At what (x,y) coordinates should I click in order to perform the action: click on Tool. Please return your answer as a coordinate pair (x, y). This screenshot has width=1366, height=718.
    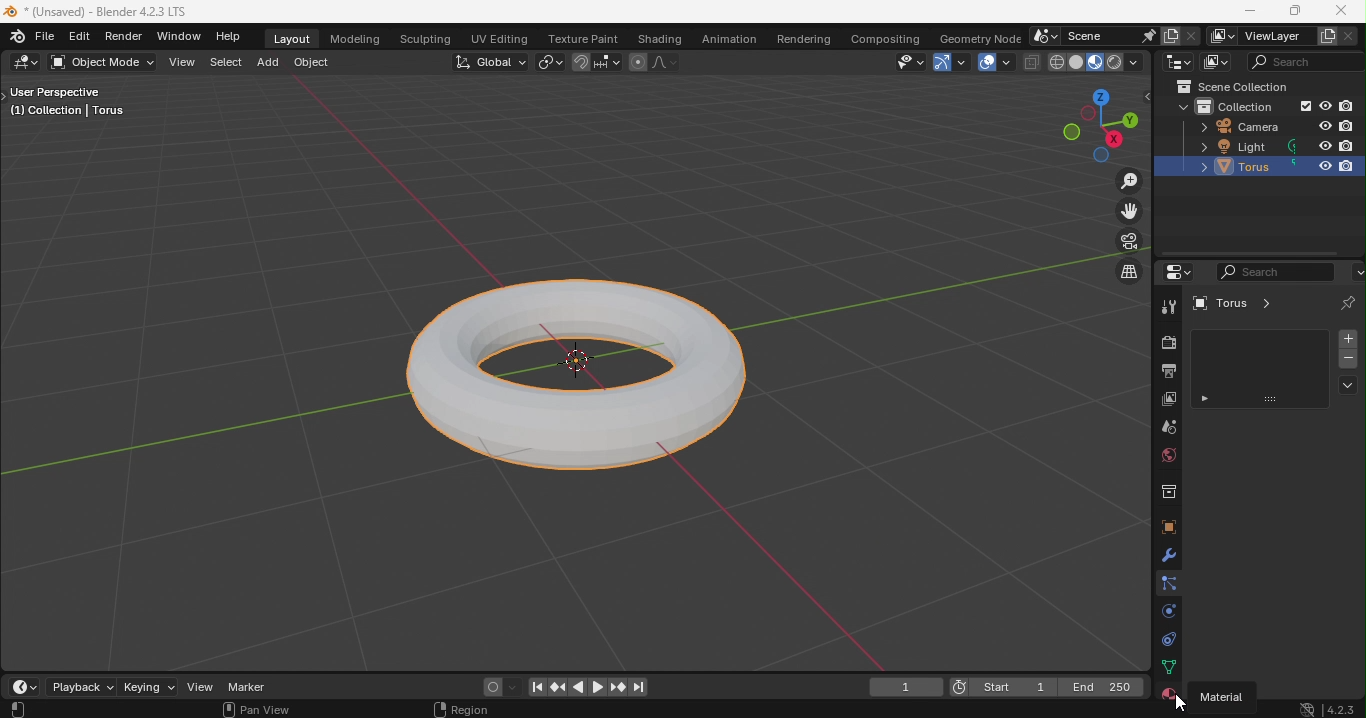
    Looking at the image, I should click on (1167, 306).